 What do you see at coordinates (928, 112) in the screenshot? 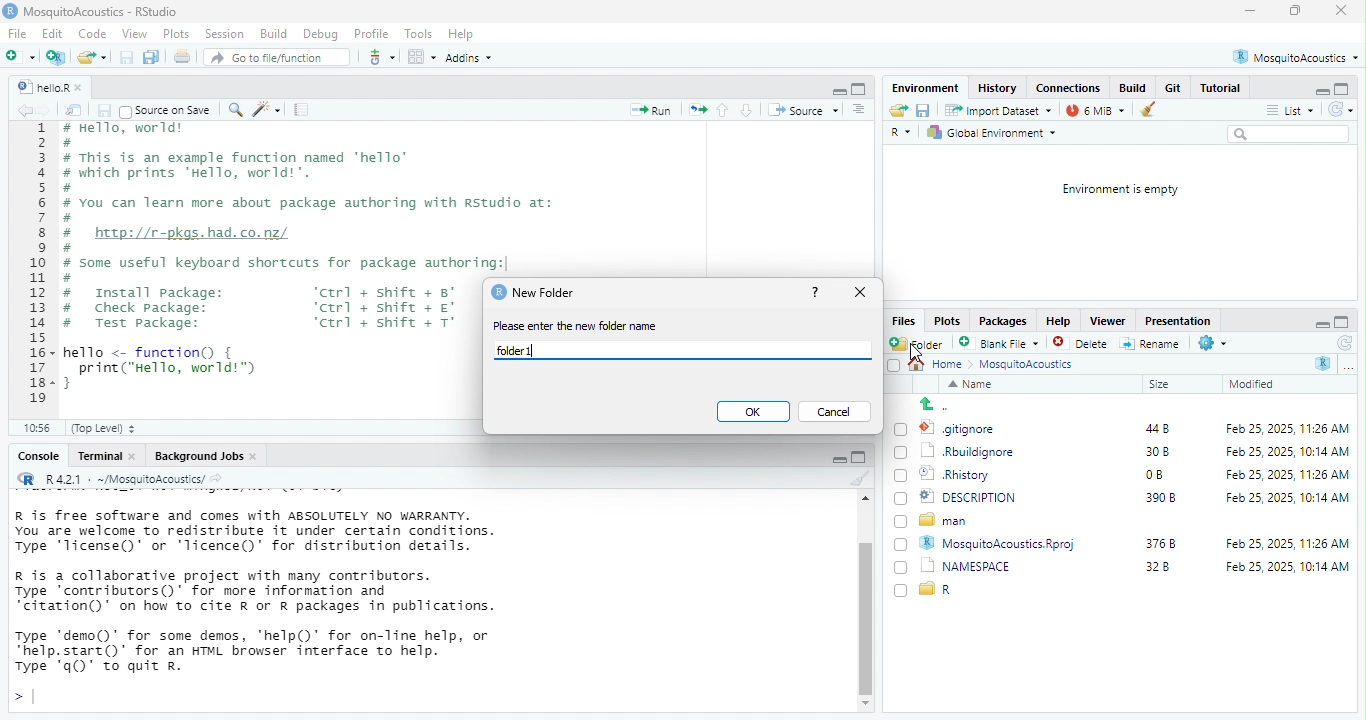
I see `save current document` at bounding box center [928, 112].